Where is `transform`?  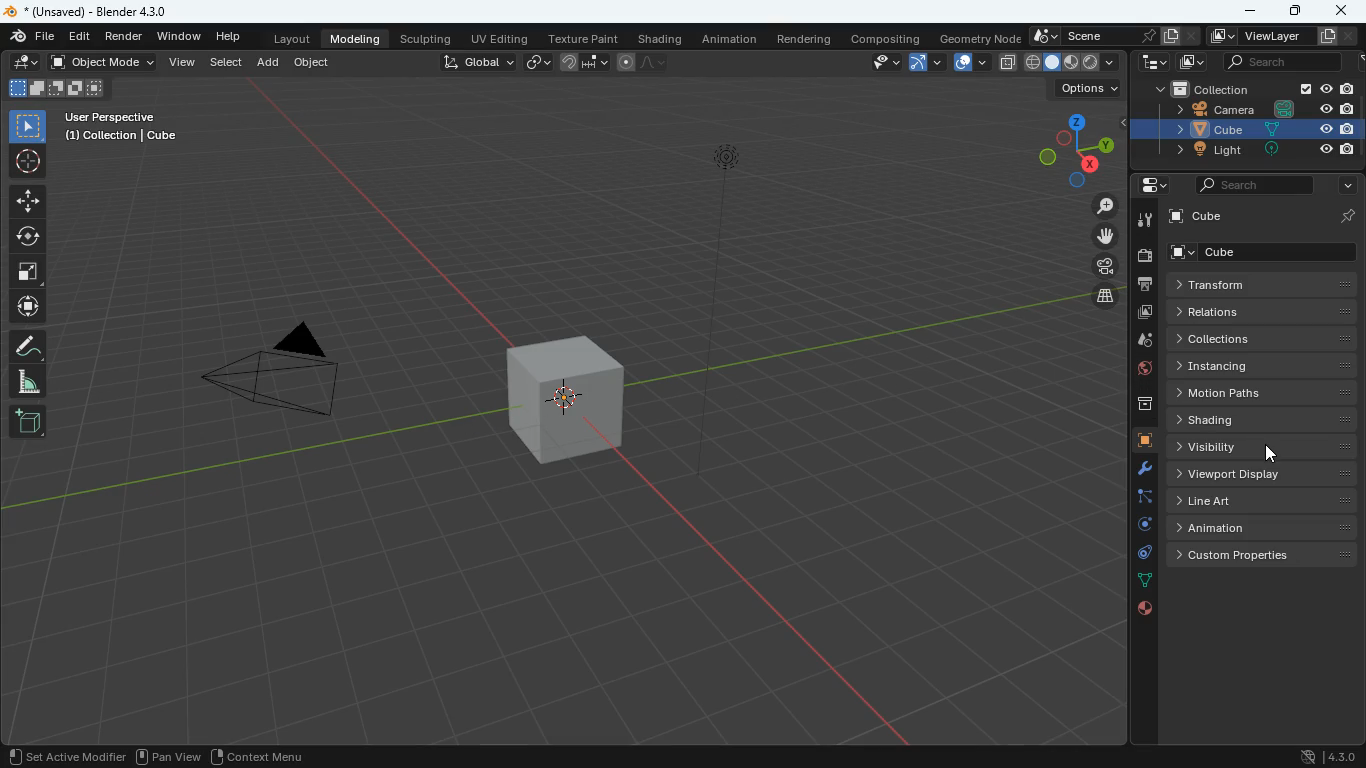
transform is located at coordinates (1256, 284).